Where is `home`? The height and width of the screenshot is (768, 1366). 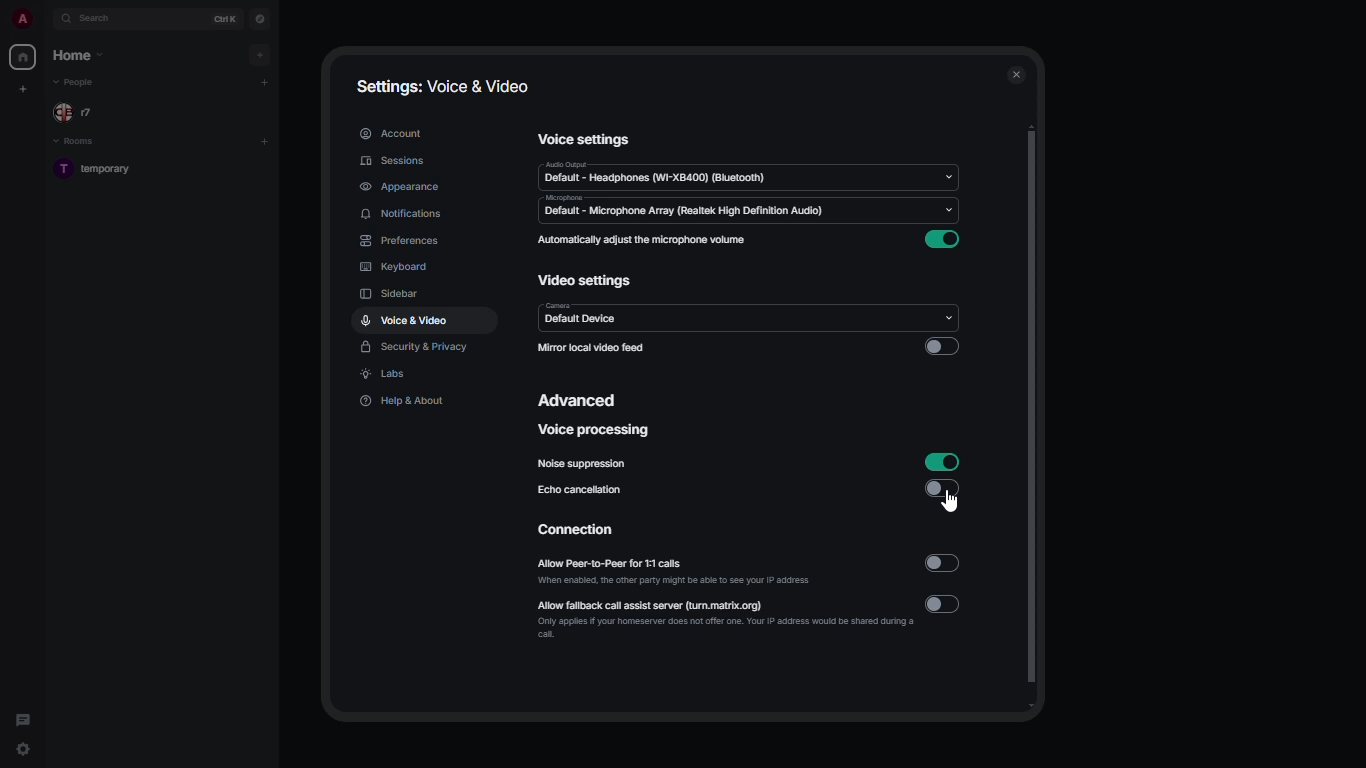
home is located at coordinates (23, 58).